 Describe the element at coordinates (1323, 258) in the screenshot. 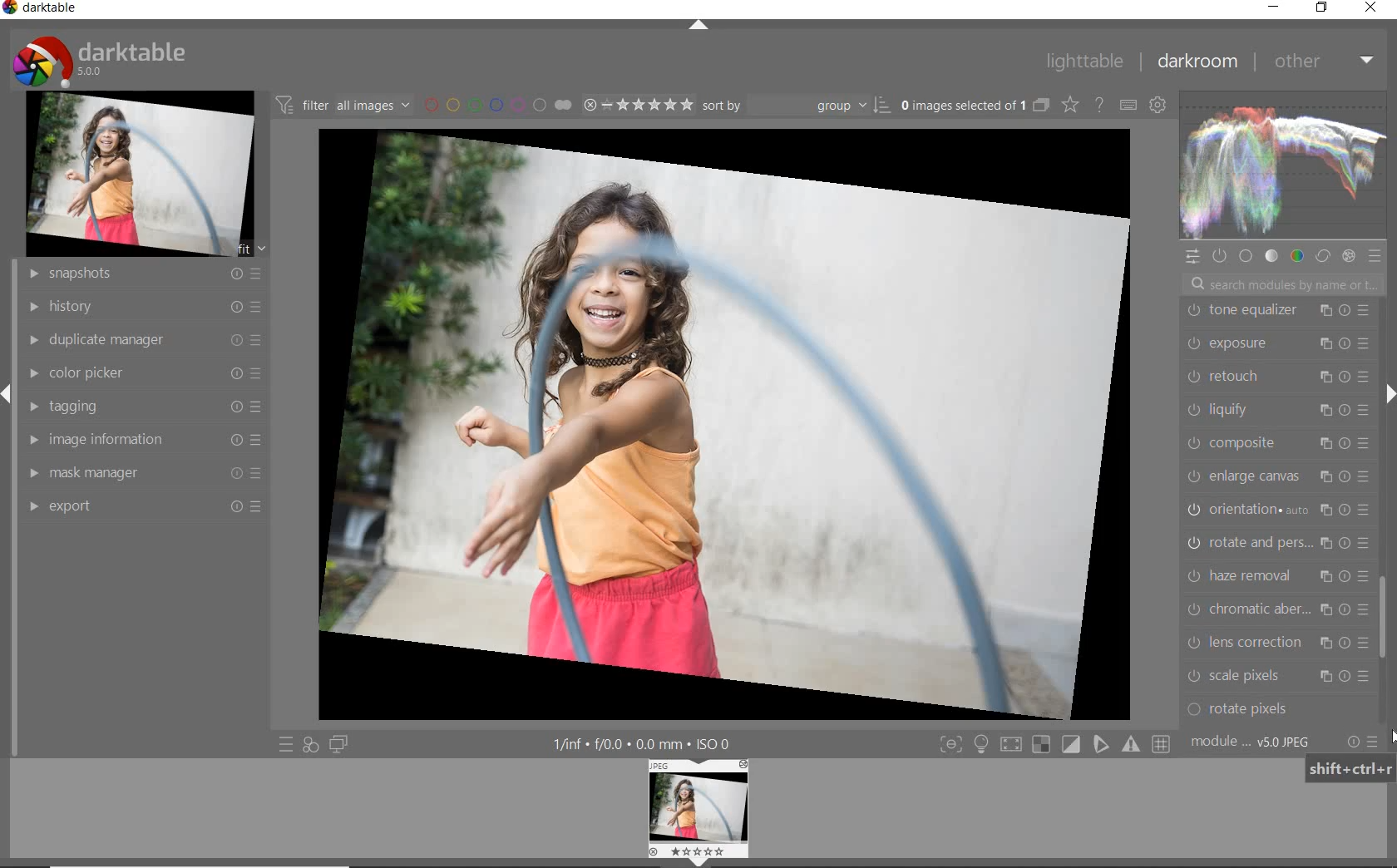

I see `correct` at that location.